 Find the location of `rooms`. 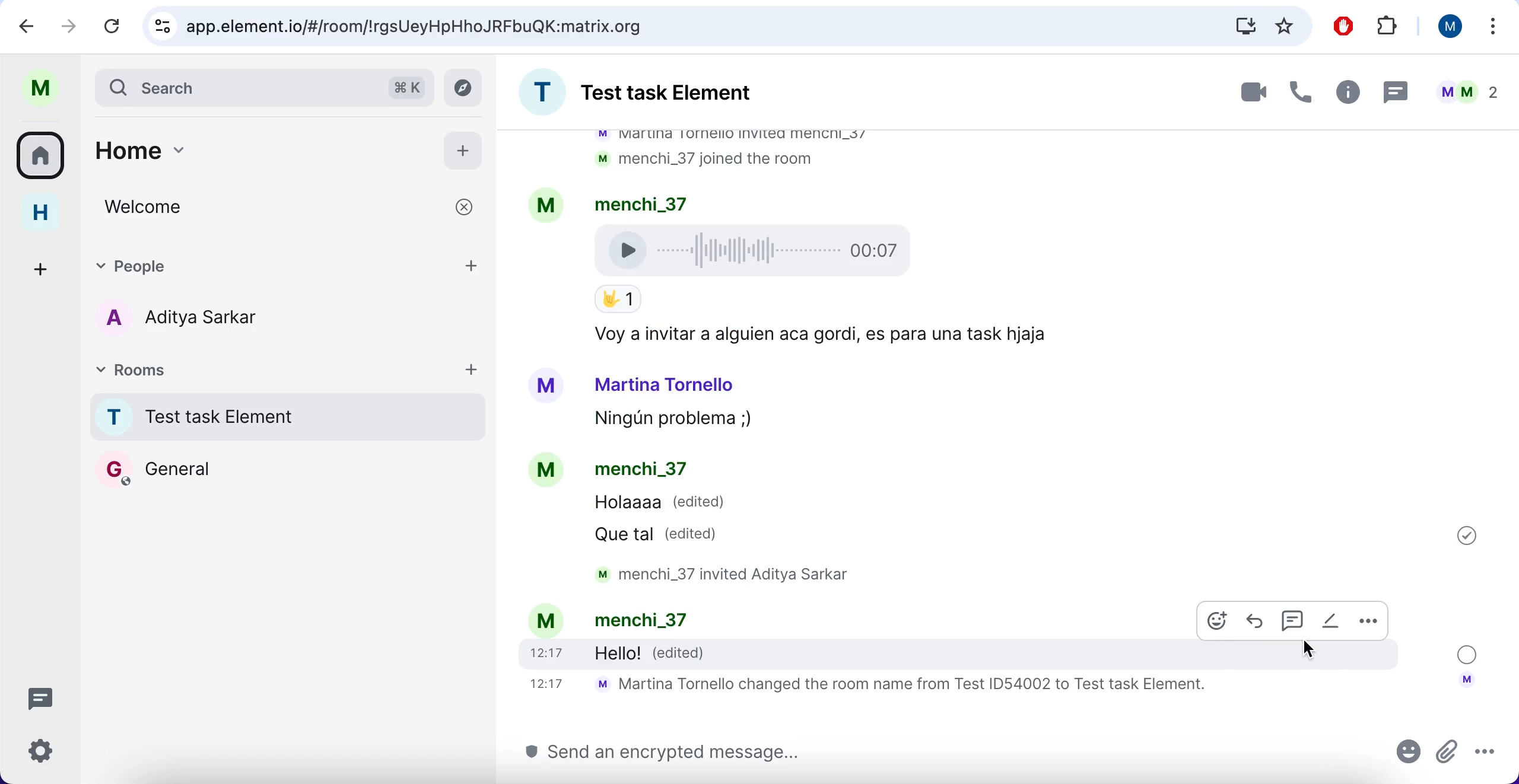

rooms is located at coordinates (271, 374).